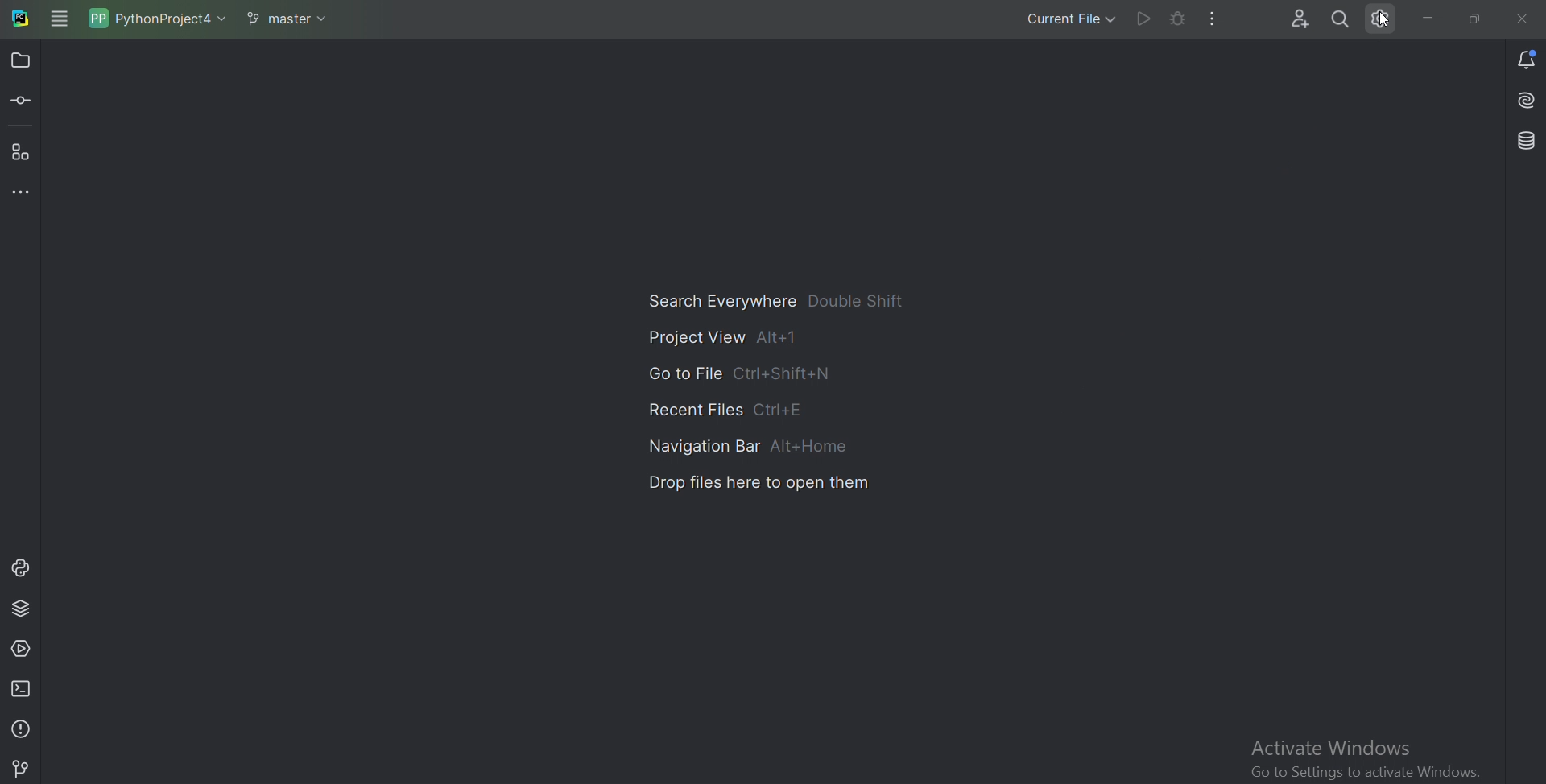 This screenshot has height=784, width=1546. Describe the element at coordinates (1471, 18) in the screenshot. I see `Restore down` at that location.